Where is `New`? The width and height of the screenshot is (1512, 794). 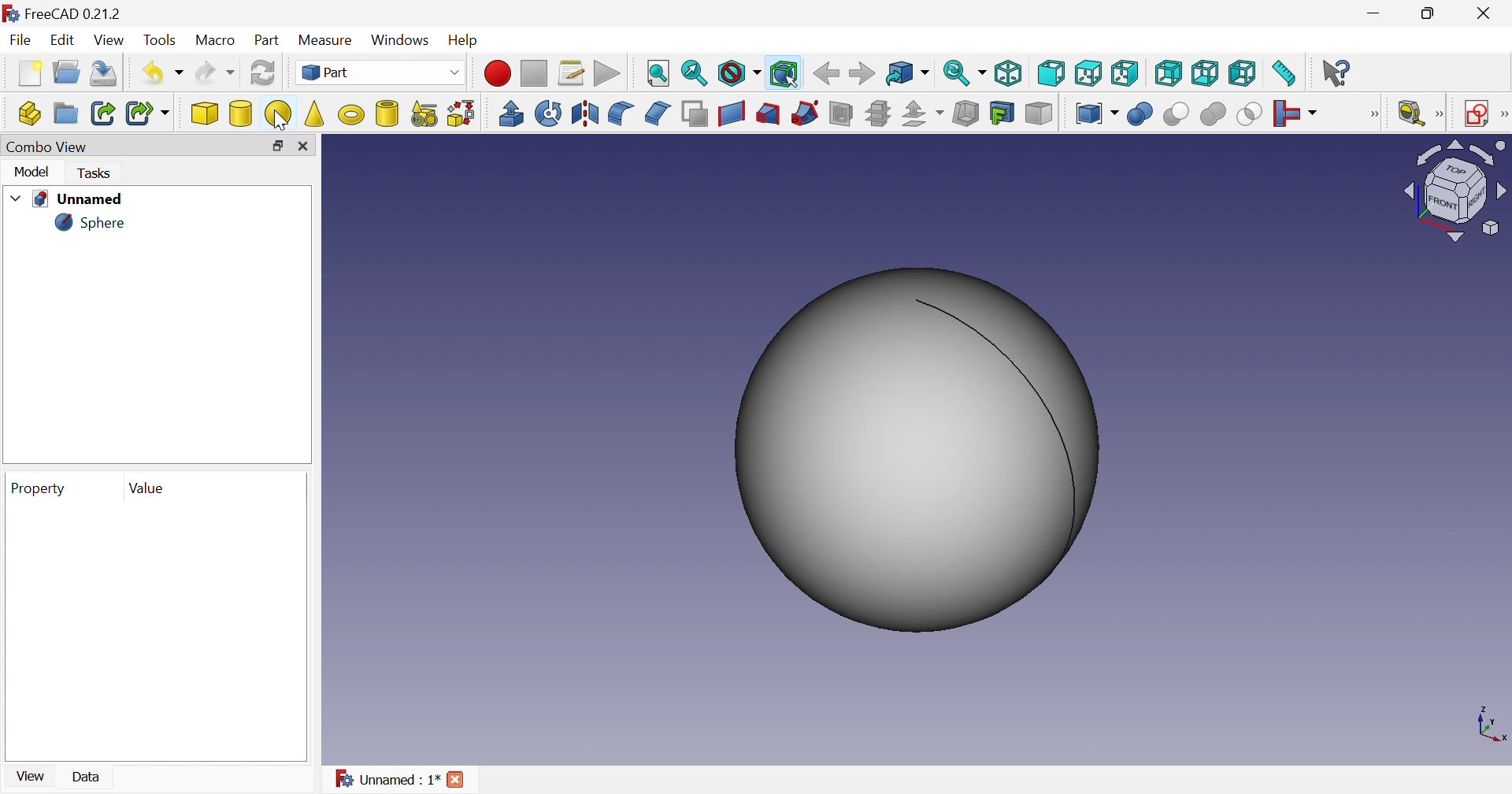 New is located at coordinates (29, 73).